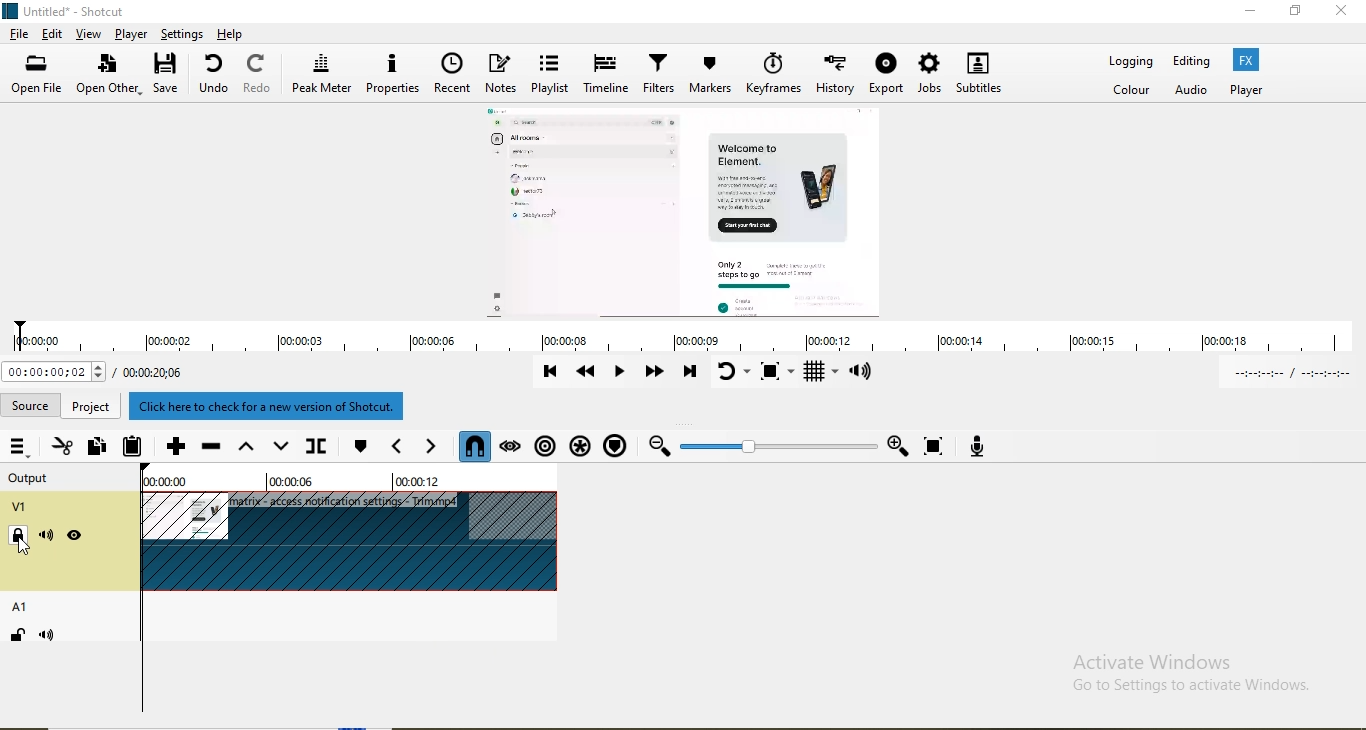  I want to click on Markers, so click(711, 75).